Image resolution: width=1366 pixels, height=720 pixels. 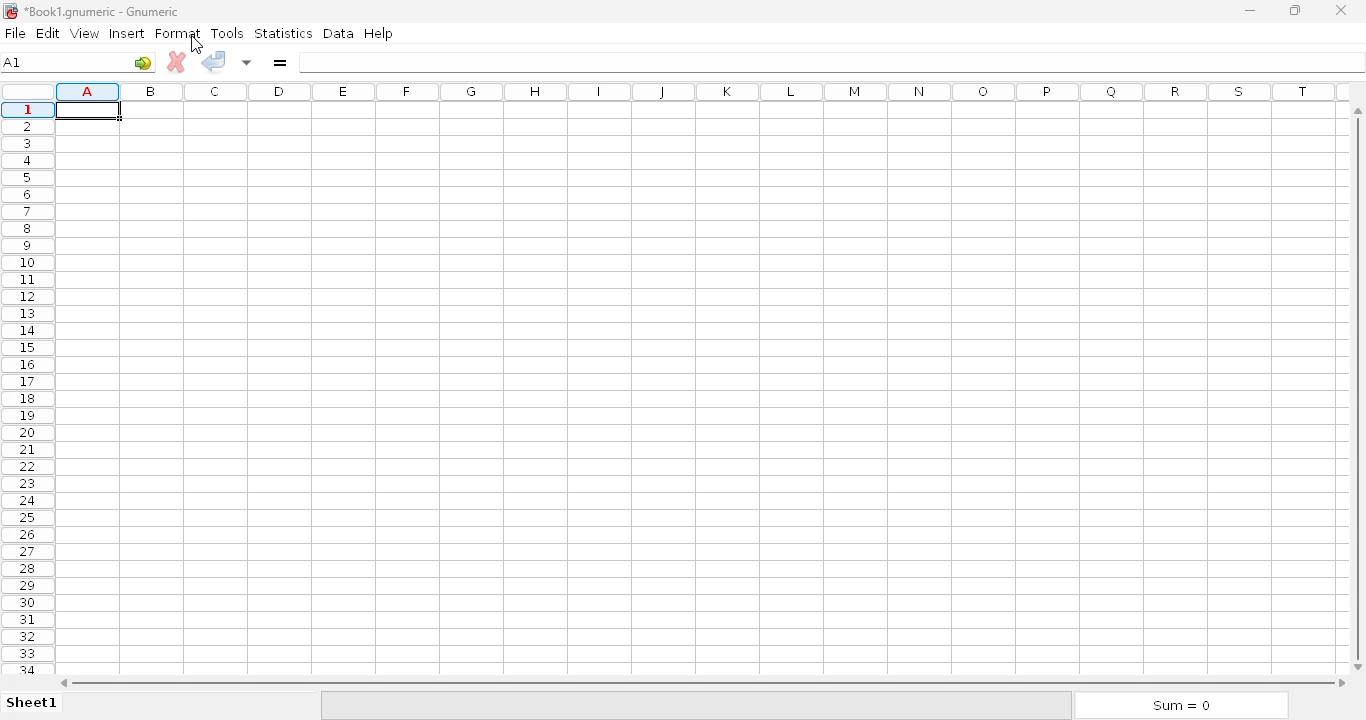 What do you see at coordinates (833, 63) in the screenshot?
I see `formula bar` at bounding box center [833, 63].